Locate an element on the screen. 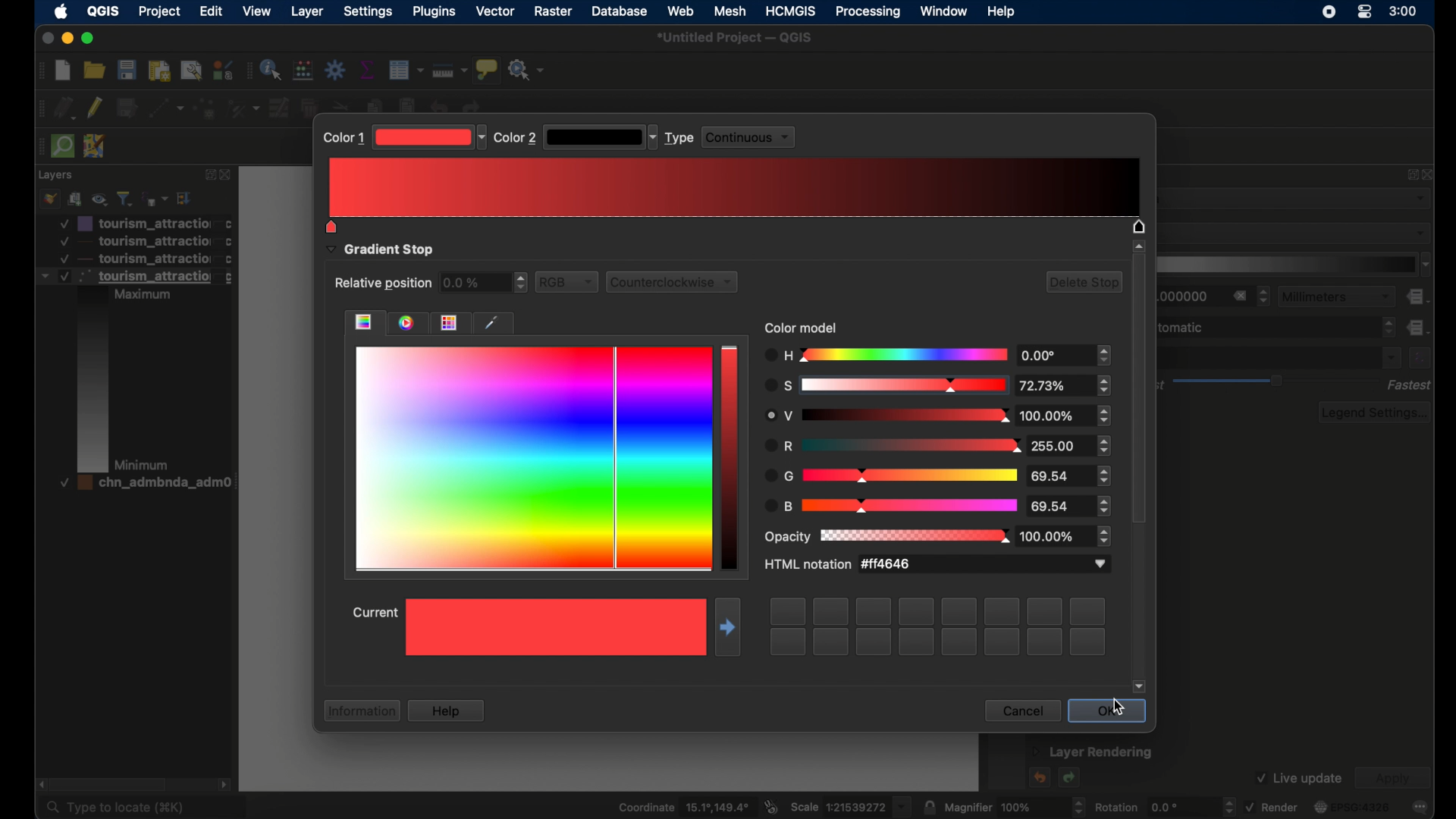 The height and width of the screenshot is (819, 1456). layer 3 is located at coordinates (134, 371).